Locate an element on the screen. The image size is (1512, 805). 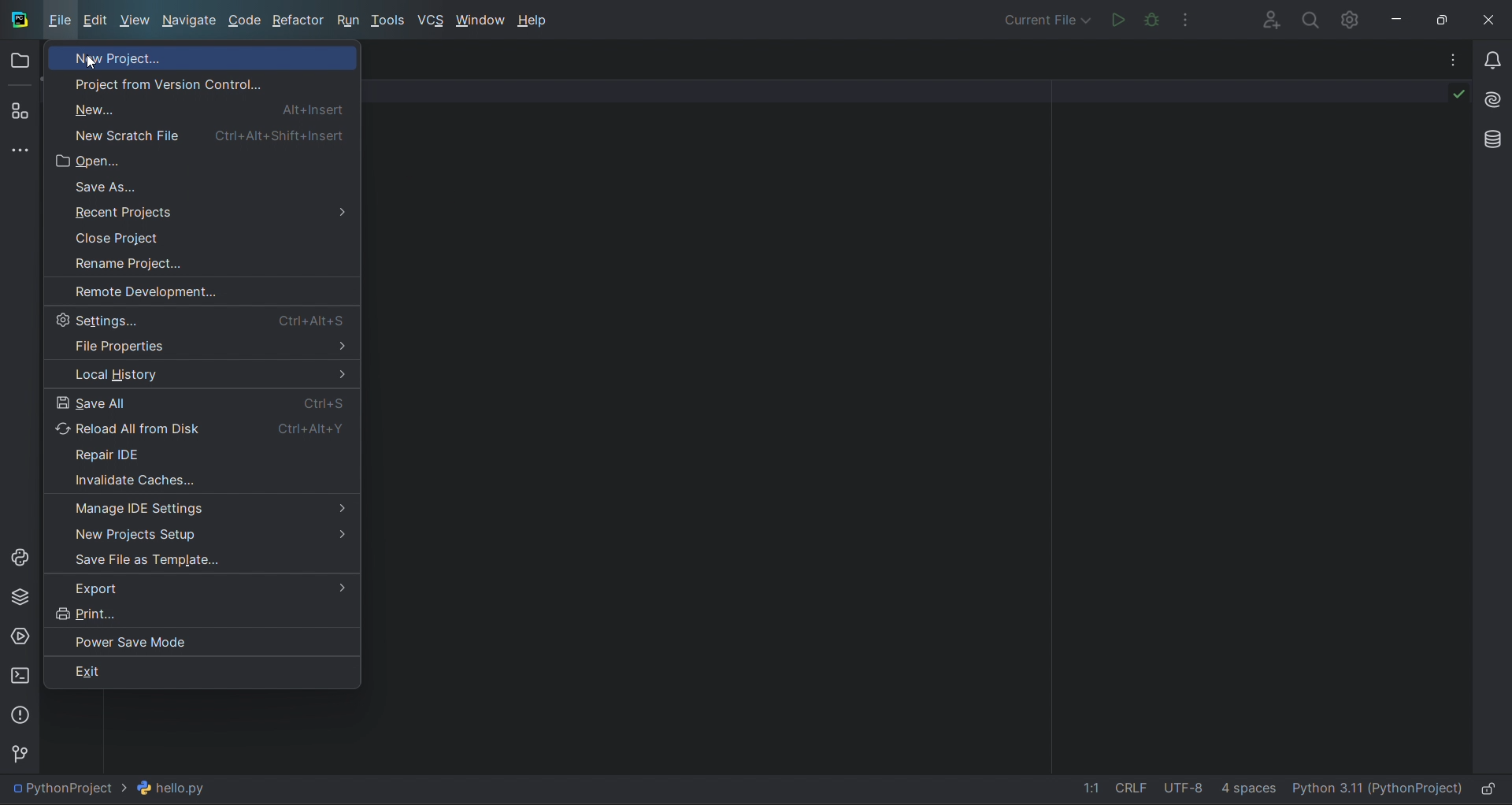
edit is located at coordinates (98, 23).